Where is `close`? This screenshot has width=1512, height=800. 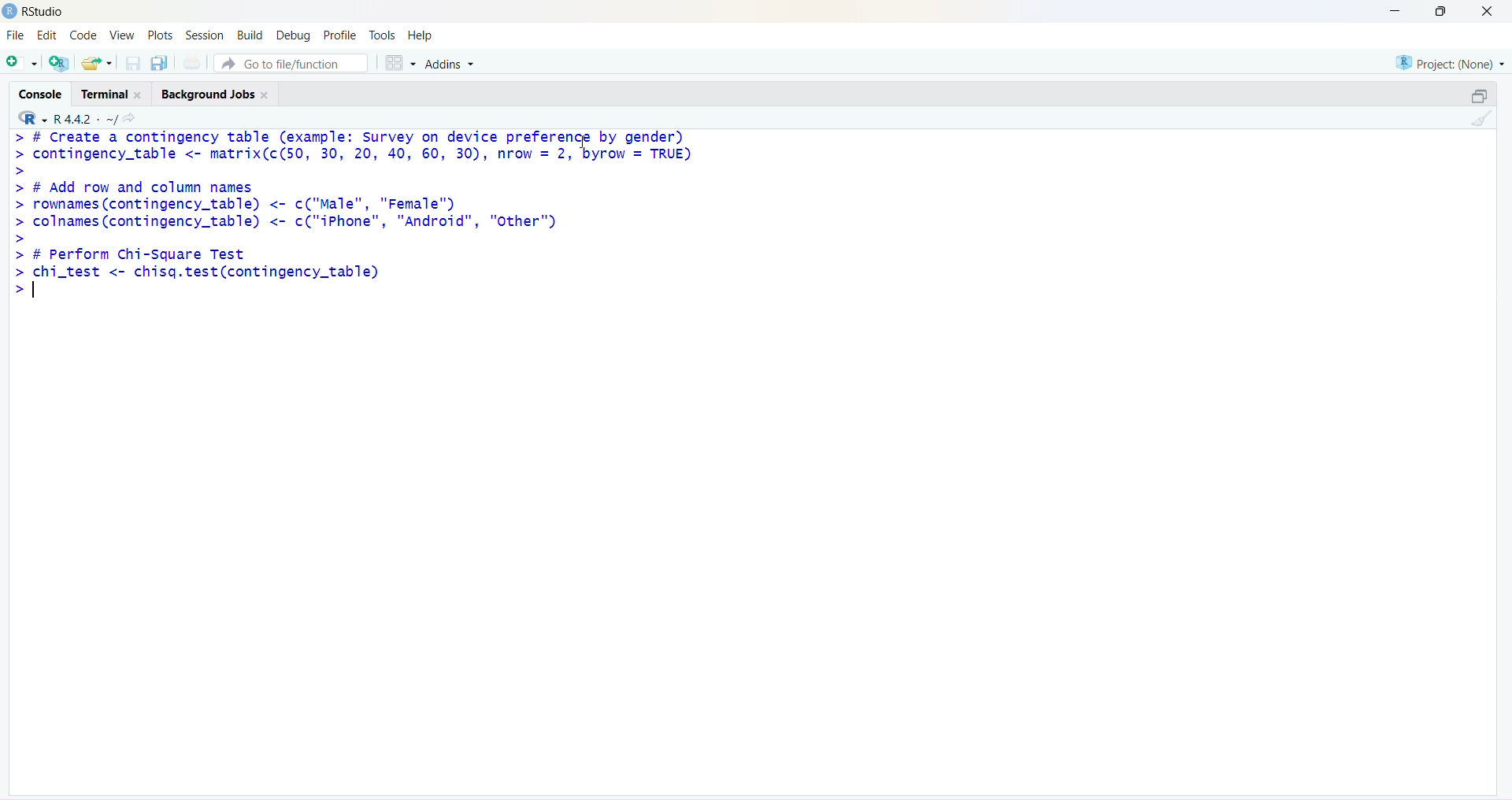
close is located at coordinates (1488, 11).